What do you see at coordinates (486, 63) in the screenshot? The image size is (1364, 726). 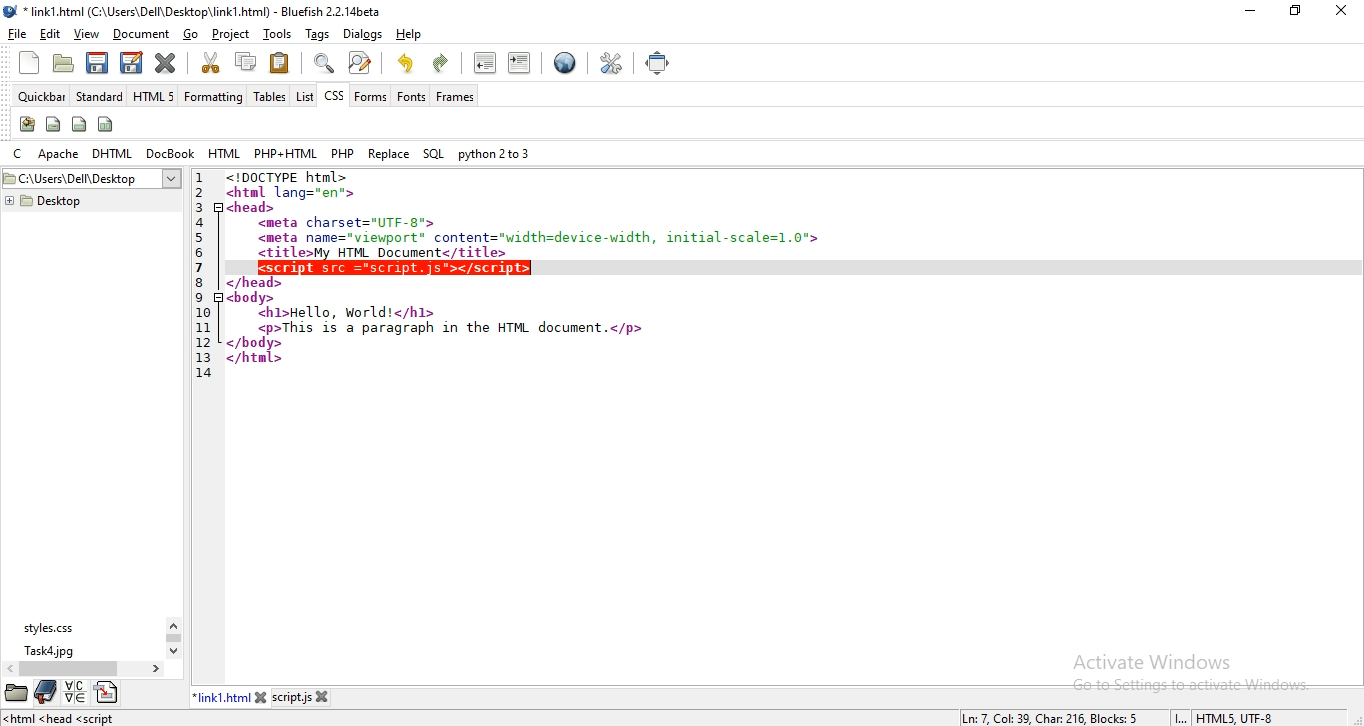 I see `unindent` at bounding box center [486, 63].